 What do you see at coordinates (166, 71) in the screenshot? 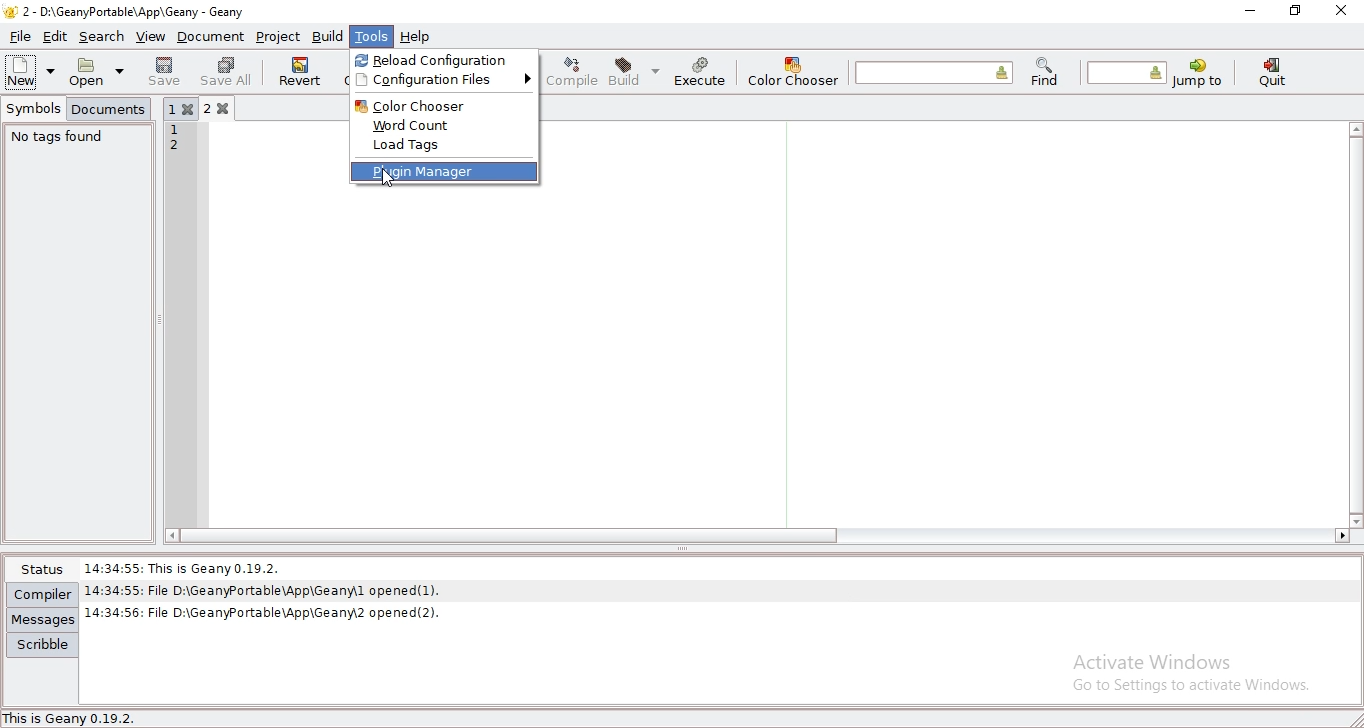
I see `save` at bounding box center [166, 71].